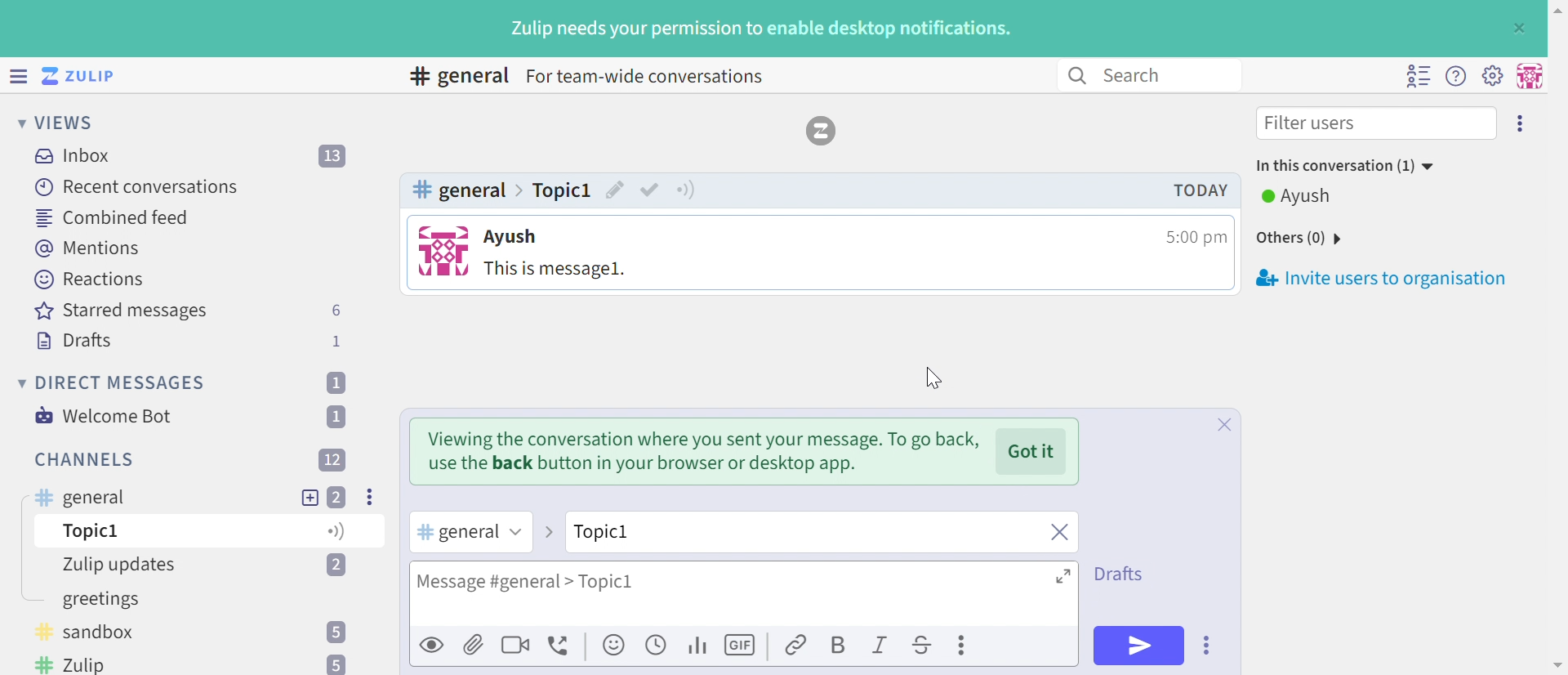 The image size is (1568, 675). What do you see at coordinates (699, 644) in the screenshot?
I see `Polls` at bounding box center [699, 644].